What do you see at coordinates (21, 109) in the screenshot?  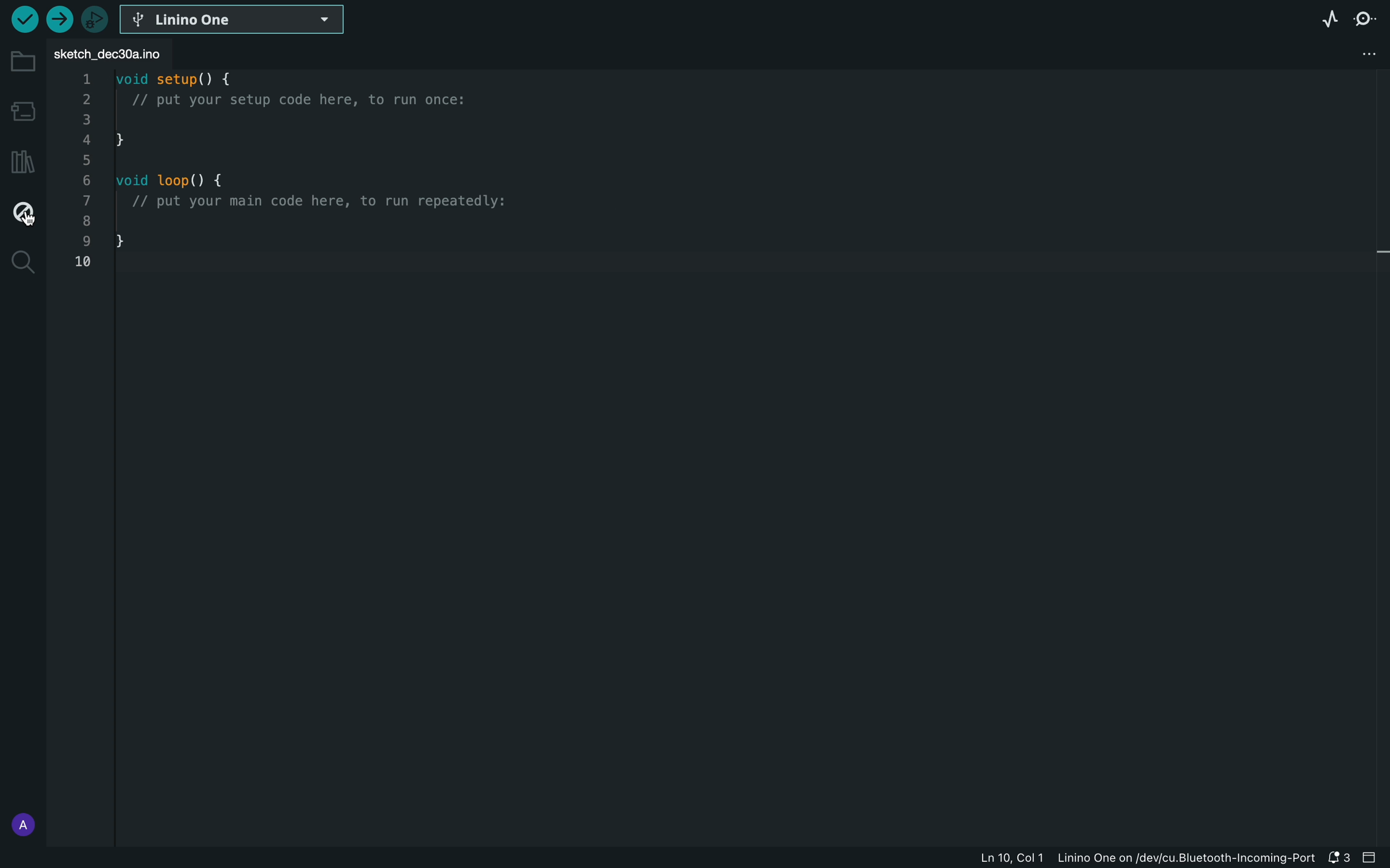 I see `board manager` at bounding box center [21, 109].